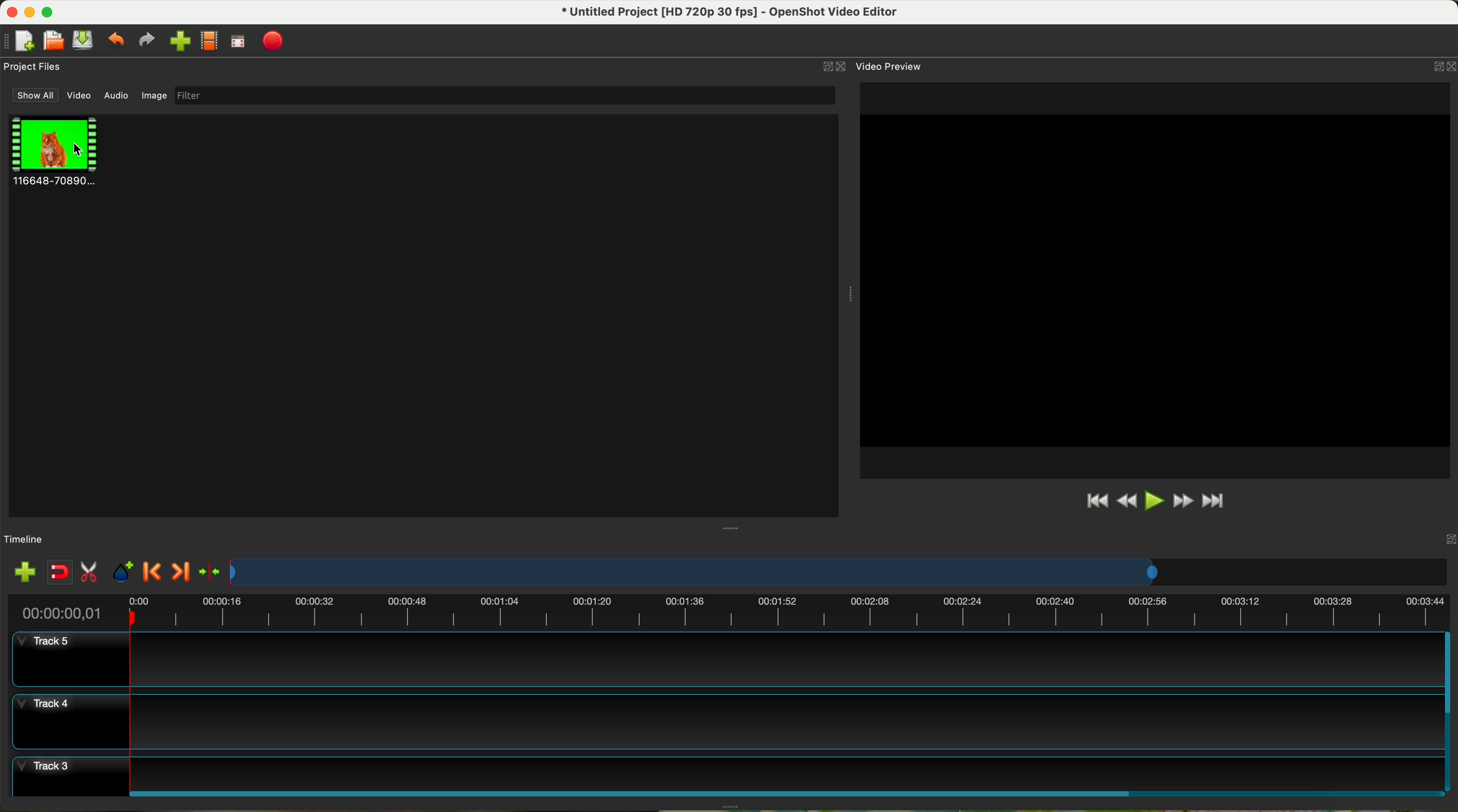 The height and width of the screenshot is (812, 1458). I want to click on click on import file, so click(177, 37).